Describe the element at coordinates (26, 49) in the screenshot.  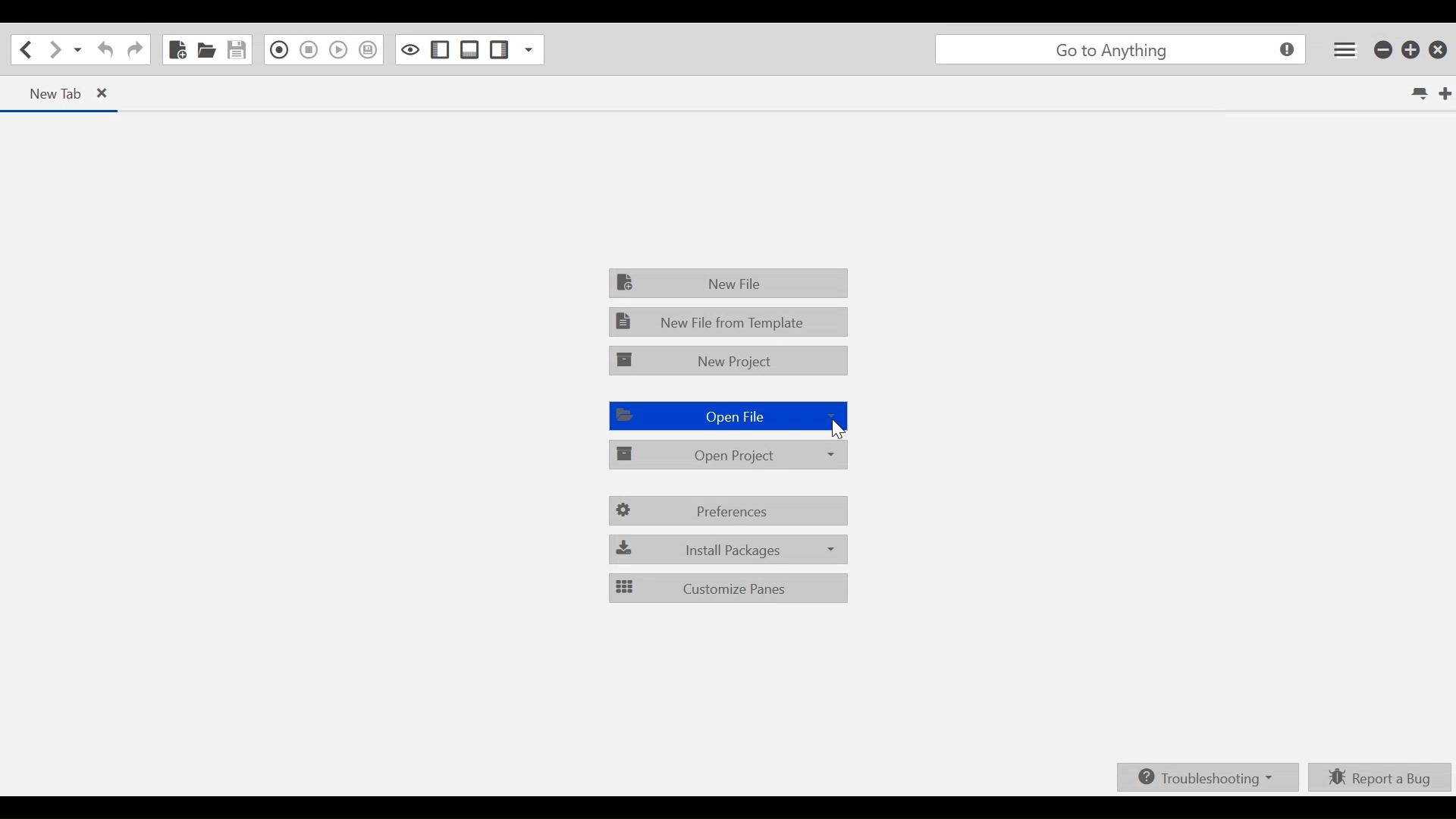
I see `Go back one location` at that location.